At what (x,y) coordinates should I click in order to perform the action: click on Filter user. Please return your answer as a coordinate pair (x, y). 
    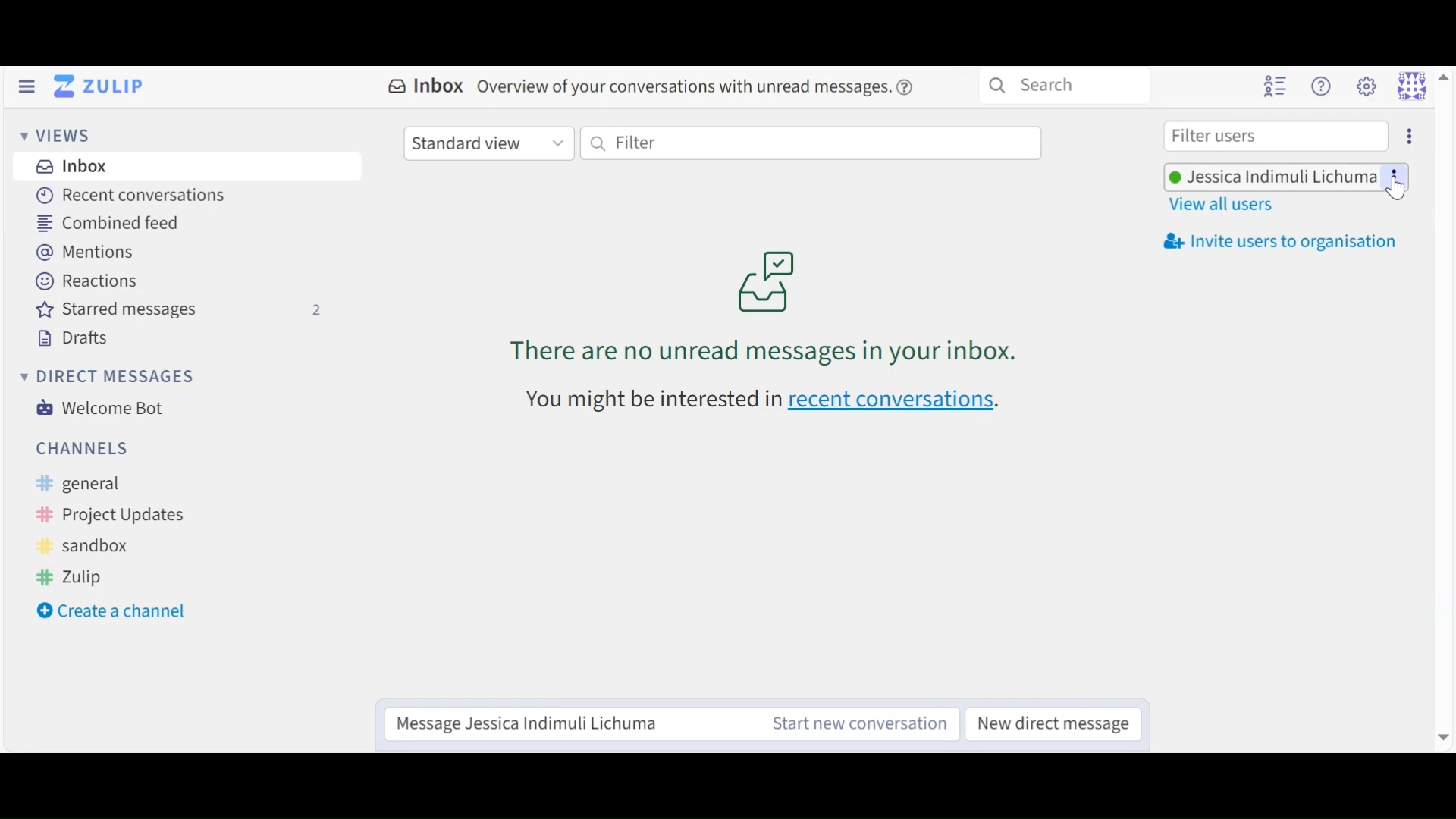
    Looking at the image, I should click on (1276, 137).